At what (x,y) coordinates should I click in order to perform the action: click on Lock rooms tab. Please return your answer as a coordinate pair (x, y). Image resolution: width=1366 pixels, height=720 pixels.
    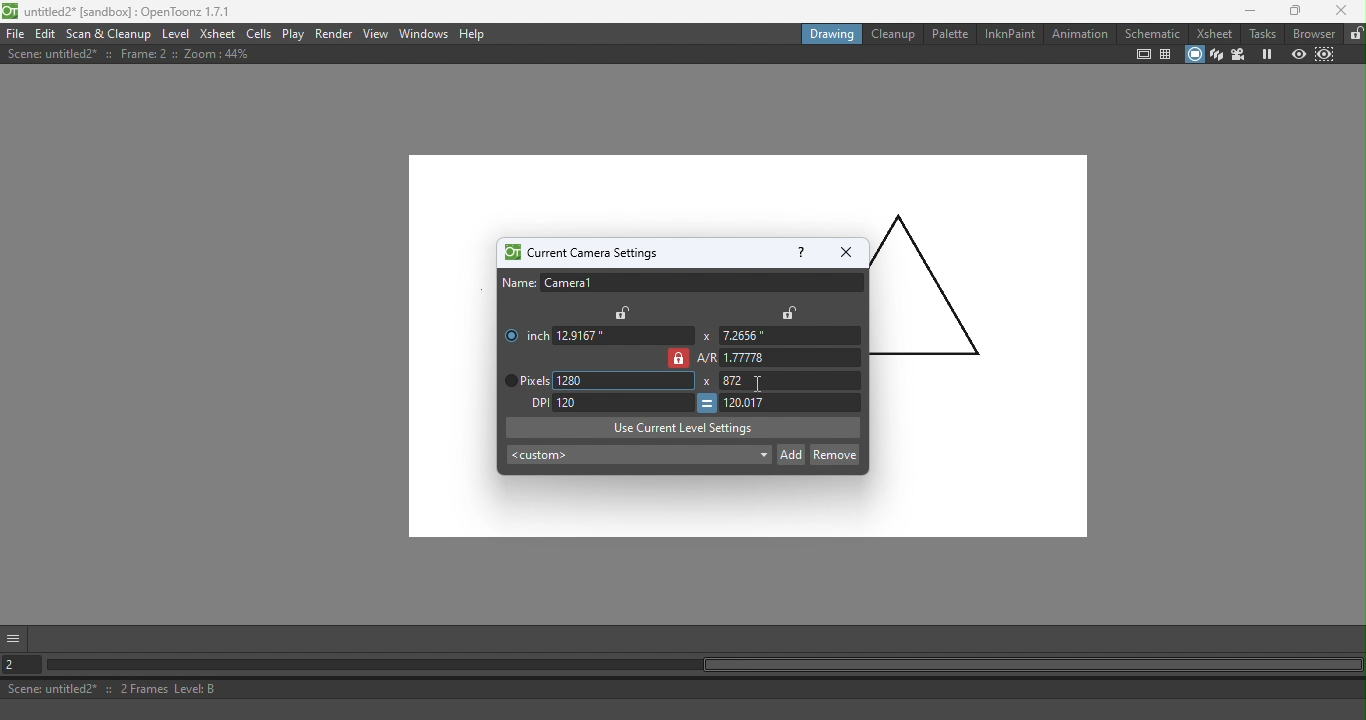
    Looking at the image, I should click on (1354, 34).